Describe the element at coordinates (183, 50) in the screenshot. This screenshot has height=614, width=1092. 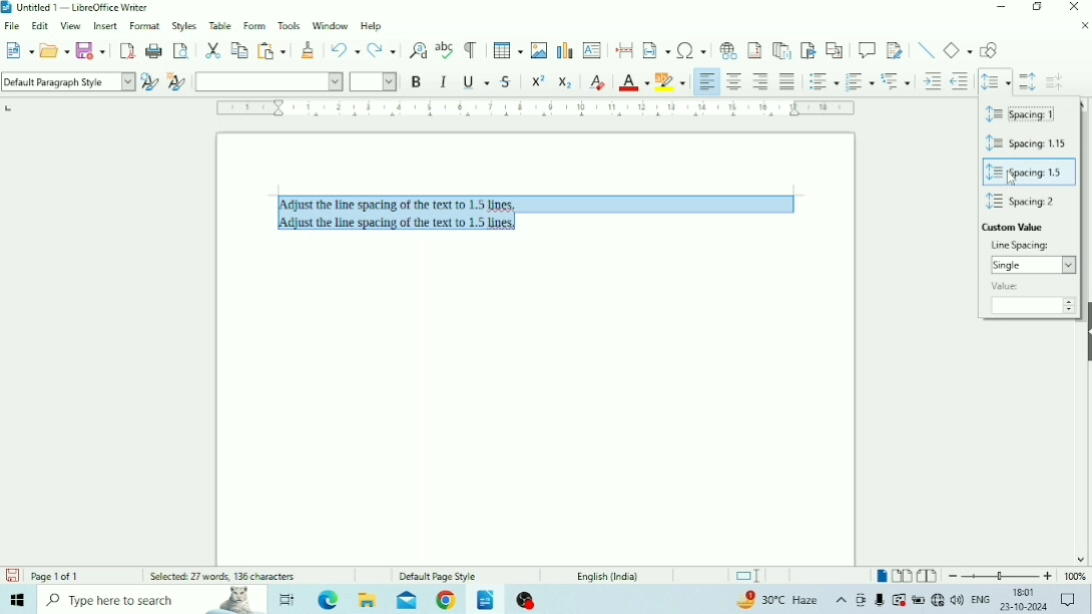
I see `Toggle Print Preview` at that location.